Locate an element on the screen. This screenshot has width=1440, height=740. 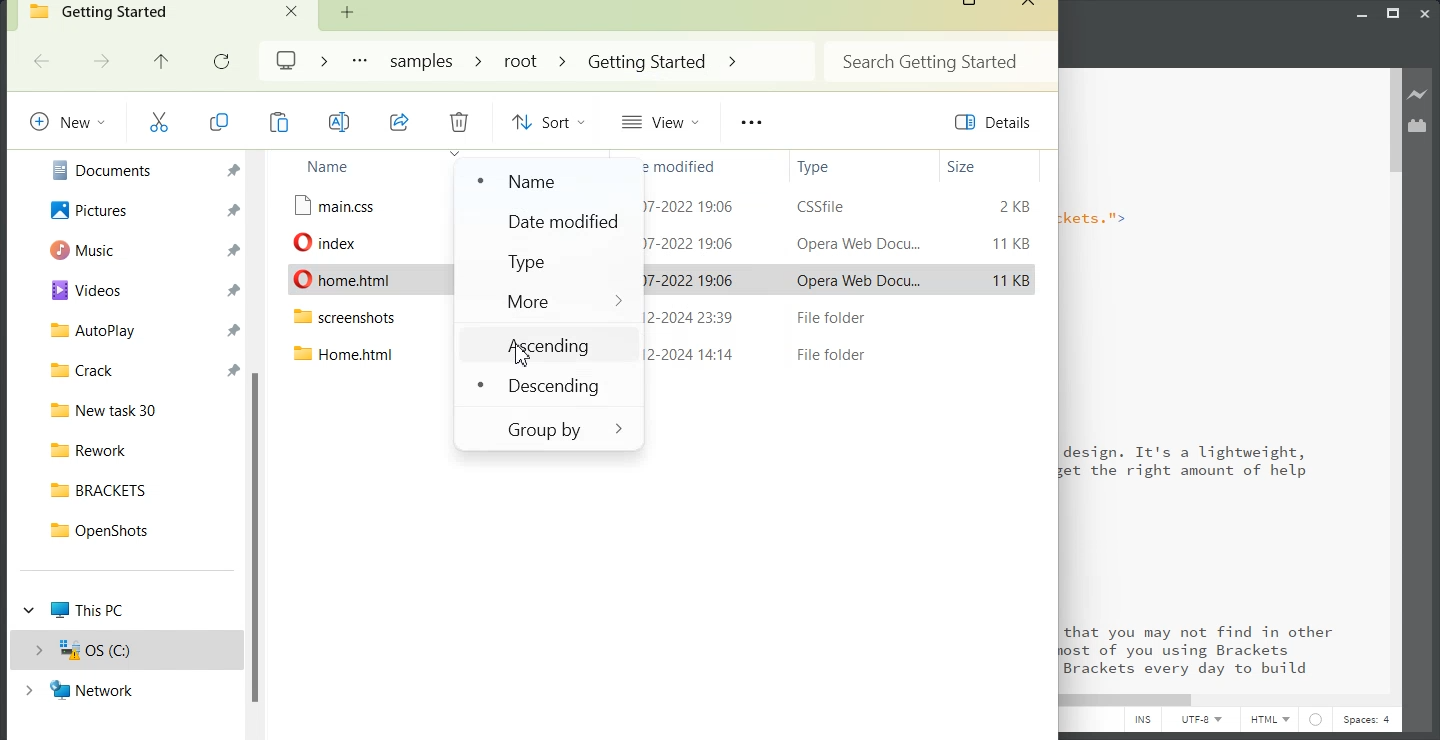
Live preview is located at coordinates (1419, 94).